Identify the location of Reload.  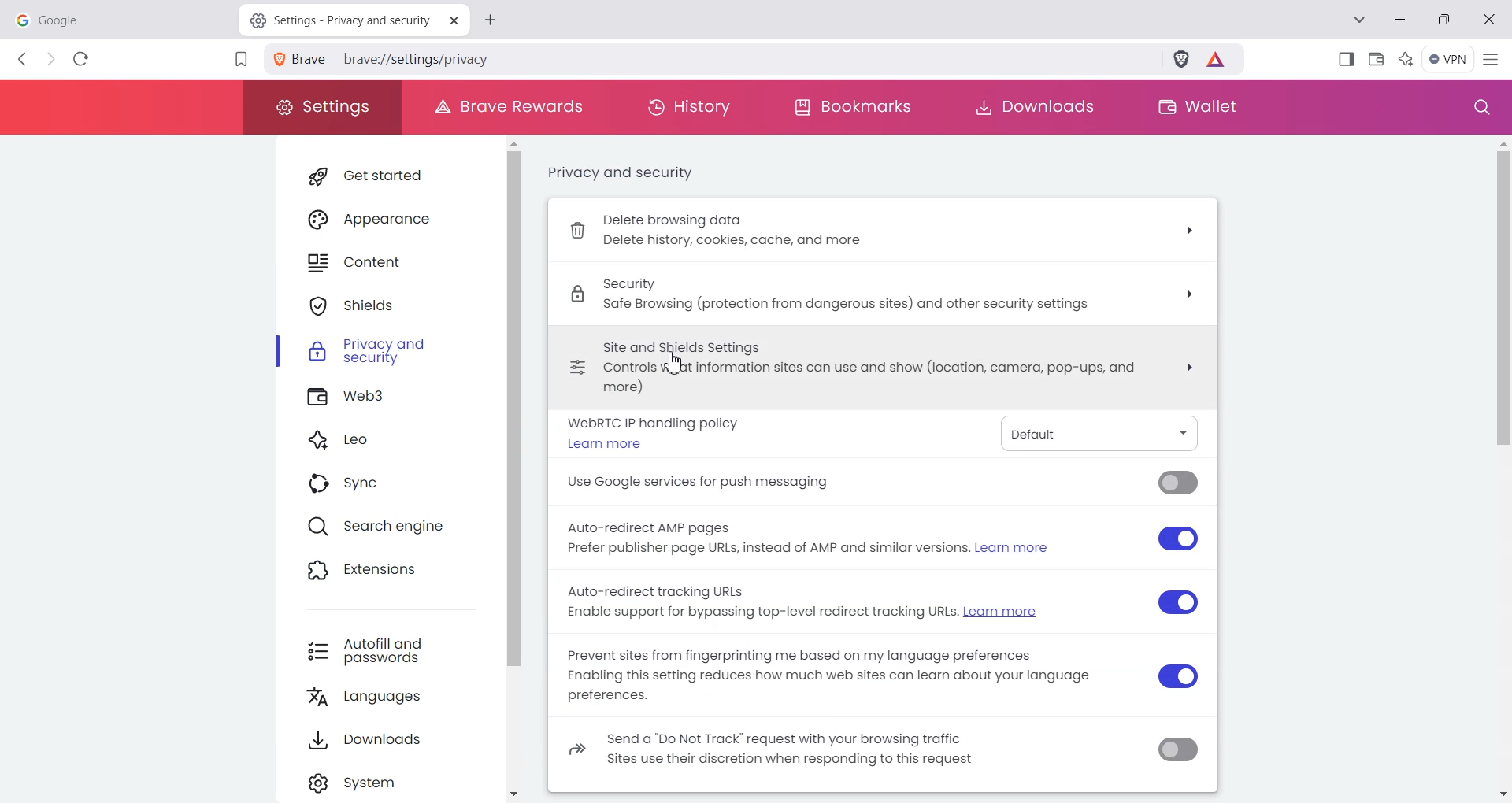
(81, 58).